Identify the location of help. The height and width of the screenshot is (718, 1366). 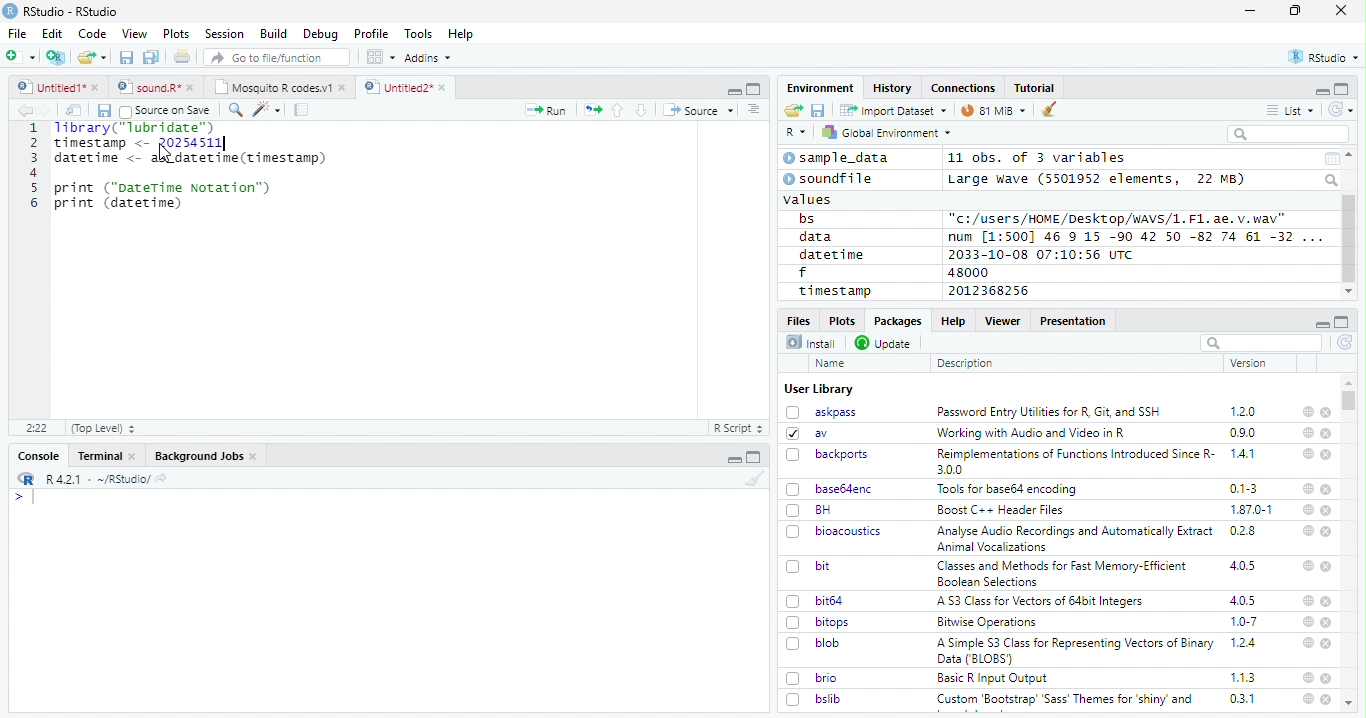
(1308, 489).